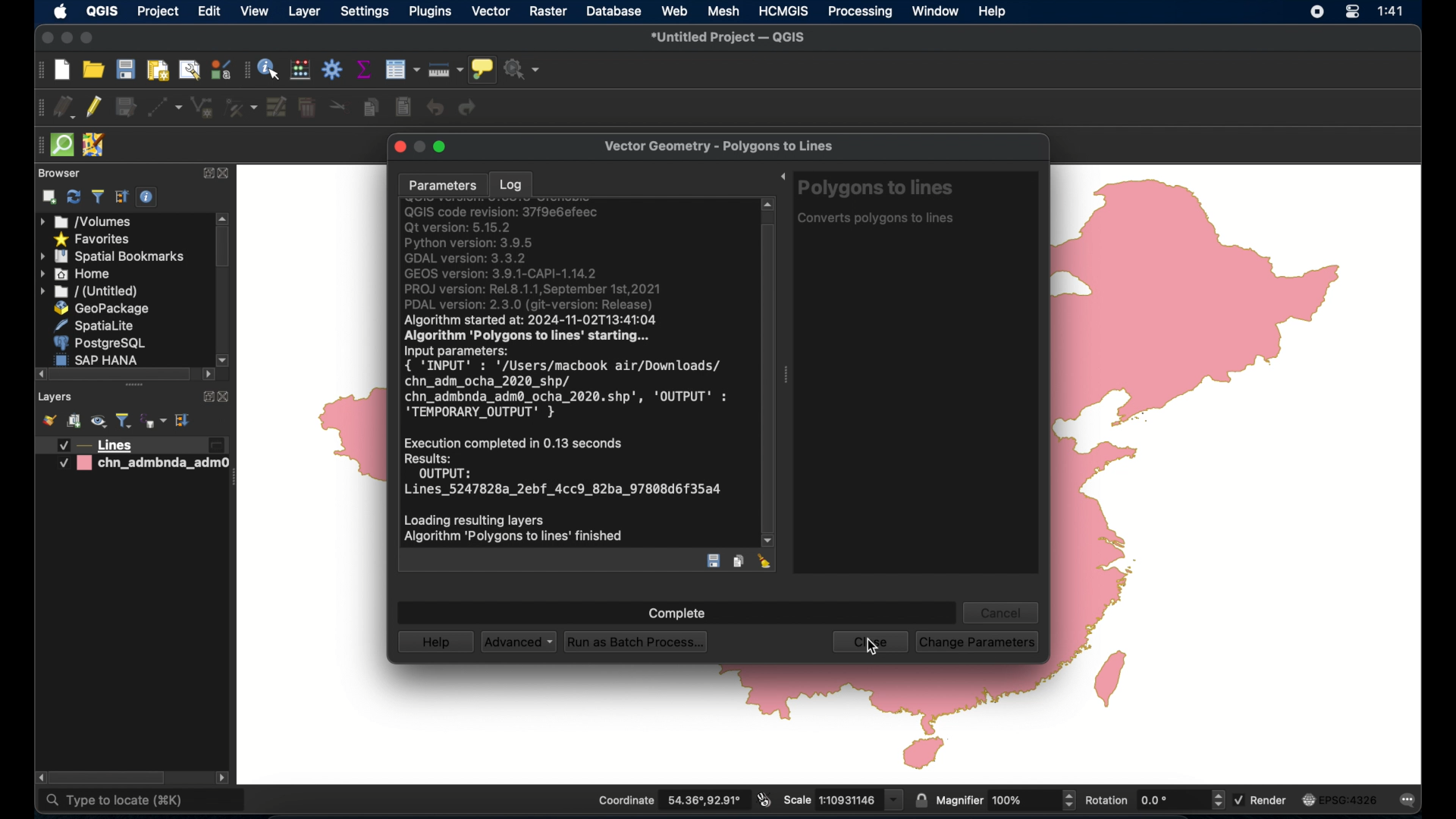 The image size is (1456, 819). What do you see at coordinates (337, 106) in the screenshot?
I see `cut features` at bounding box center [337, 106].